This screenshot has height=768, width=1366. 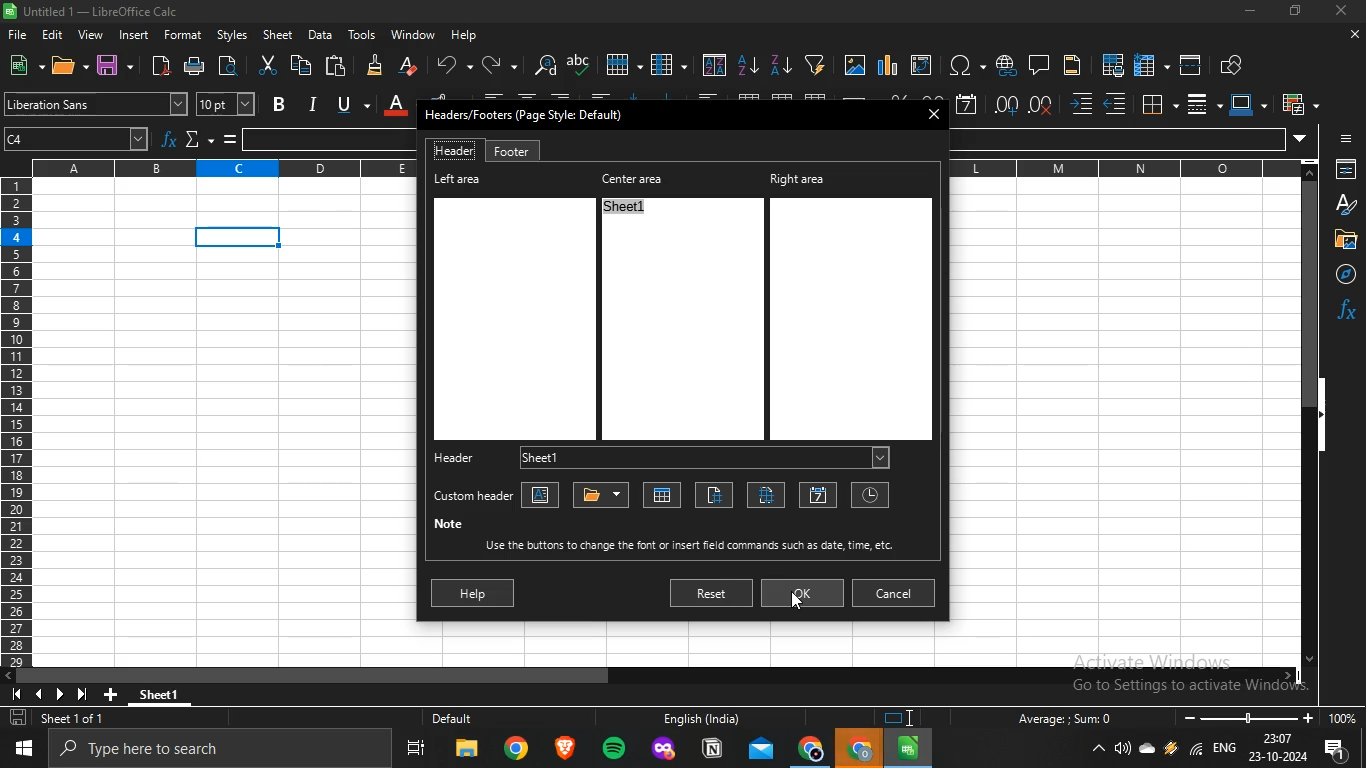 I want to click on function , so click(x=170, y=141).